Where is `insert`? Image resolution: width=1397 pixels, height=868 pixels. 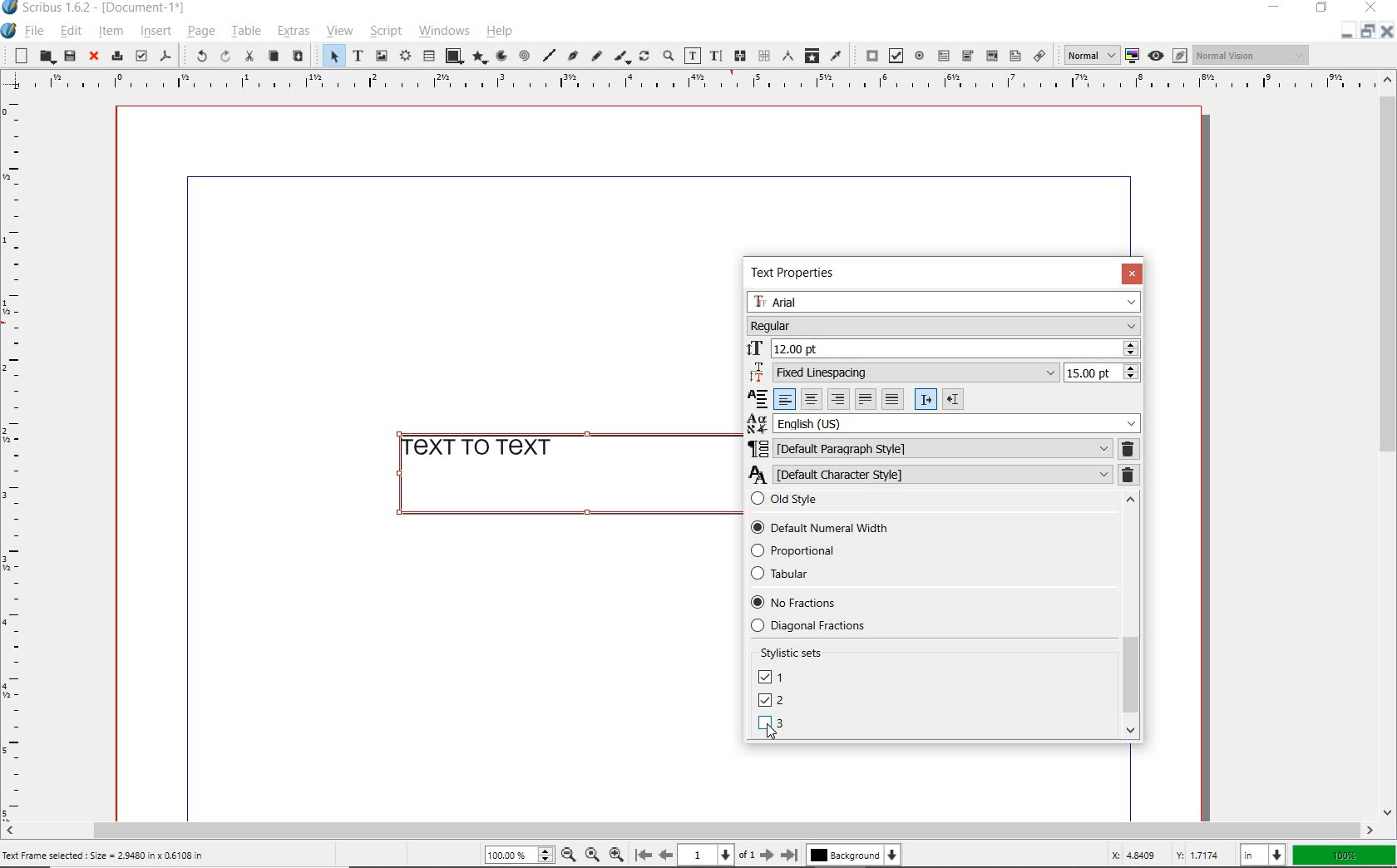
insert is located at coordinates (155, 32).